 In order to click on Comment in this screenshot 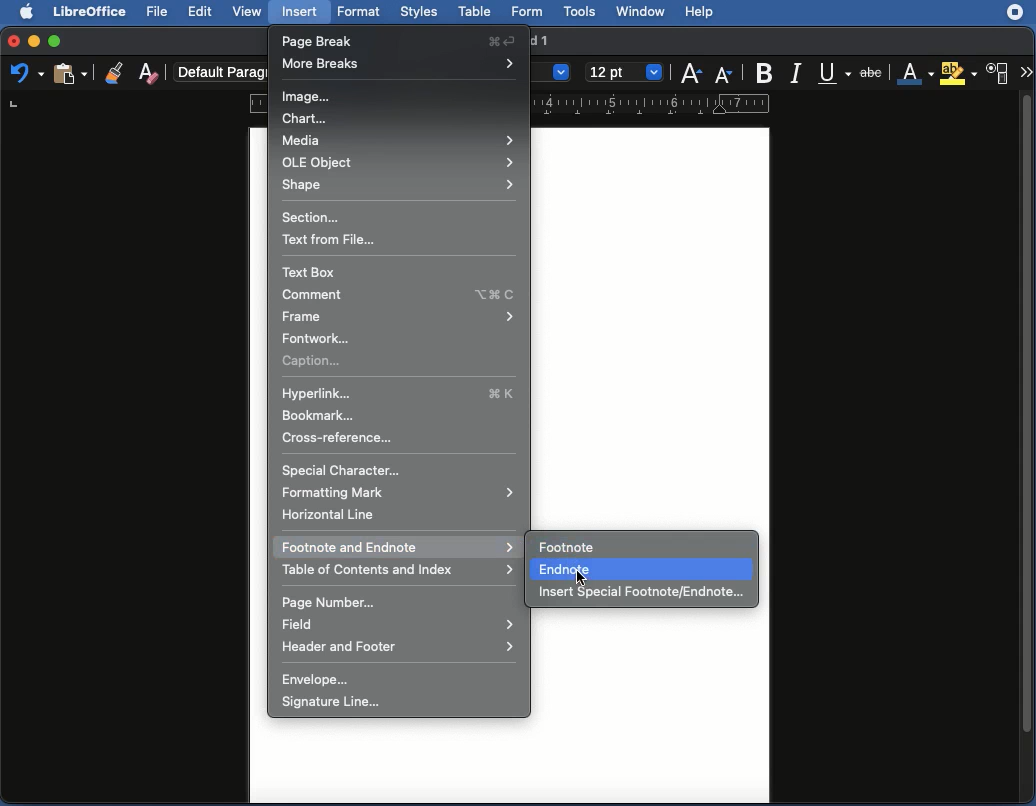, I will do `click(398, 294)`.